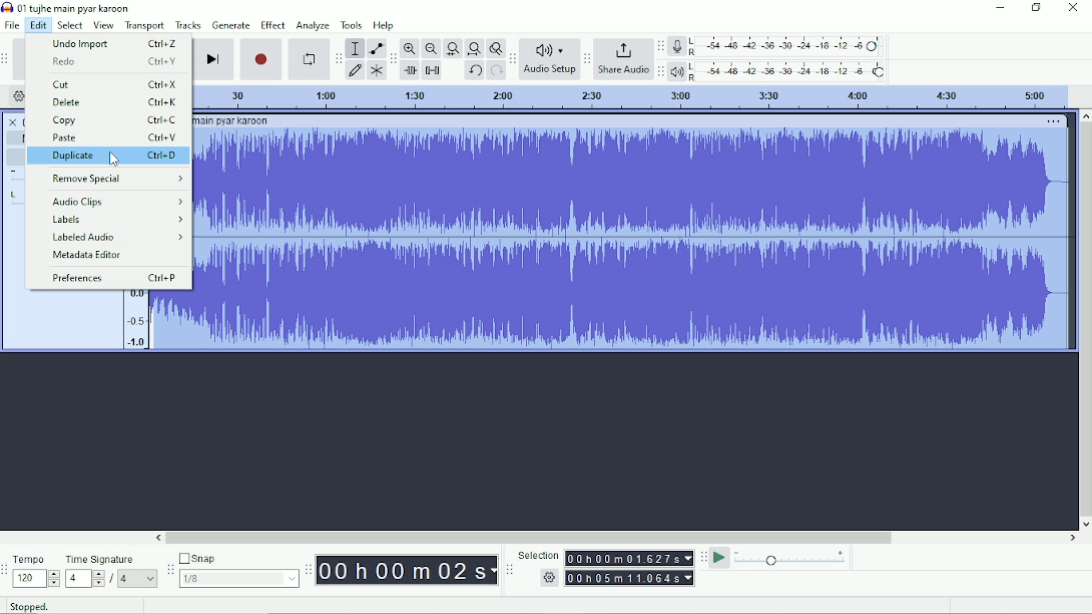  What do you see at coordinates (494, 48) in the screenshot?
I see `Zoom toggle` at bounding box center [494, 48].